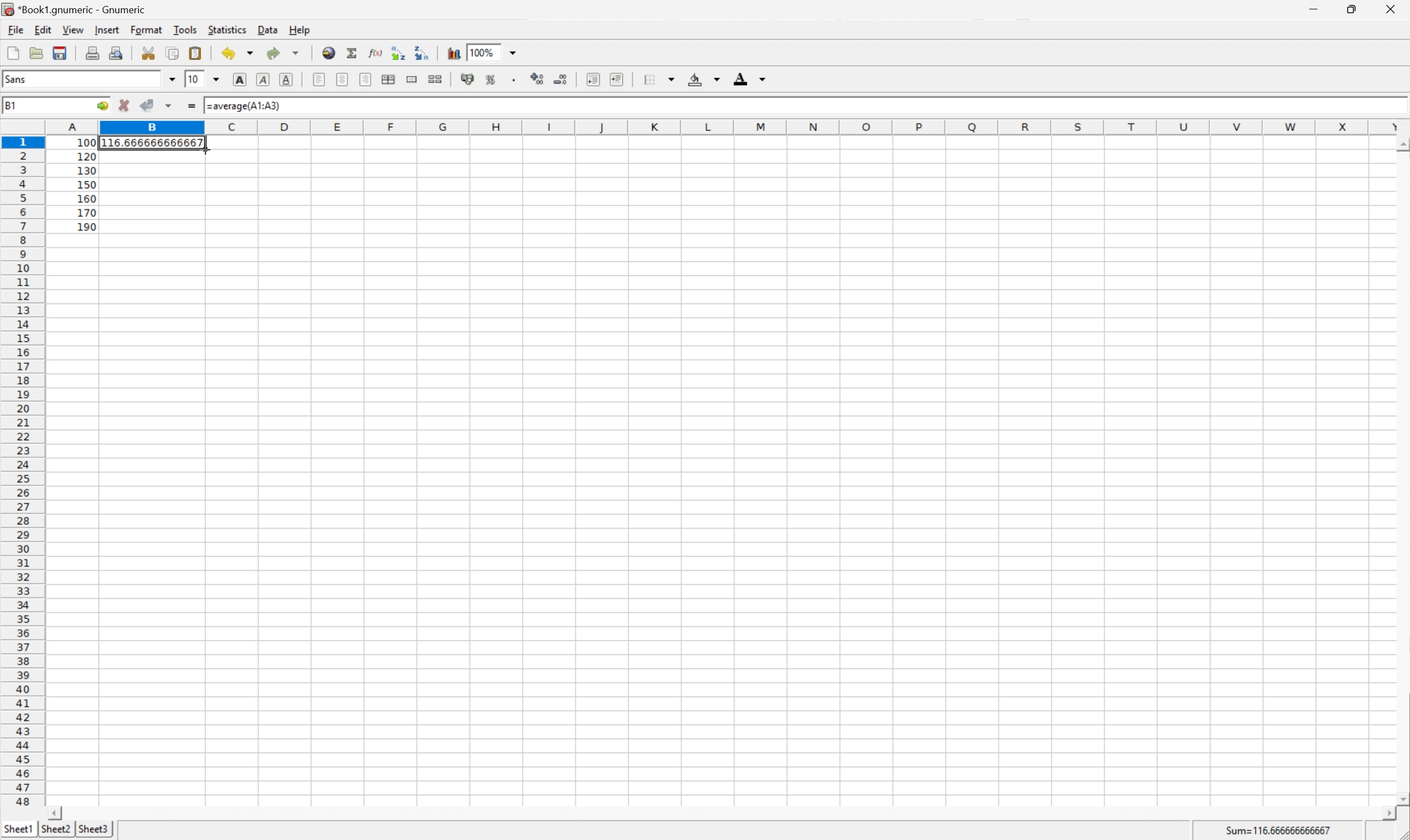 The width and height of the screenshot is (1410, 840). Describe the element at coordinates (218, 79) in the screenshot. I see `Drop Down` at that location.